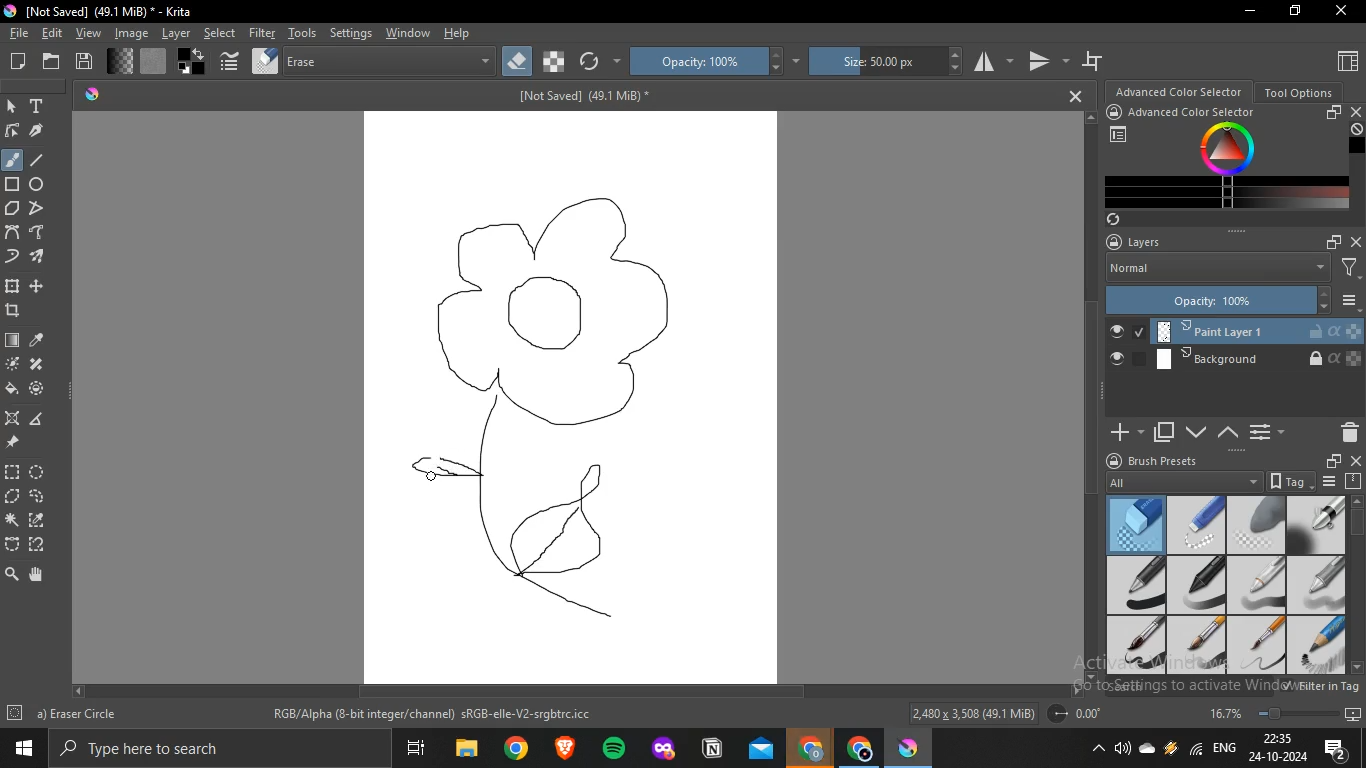 Image resolution: width=1366 pixels, height=768 pixels. What do you see at coordinates (1318, 645) in the screenshot?
I see `basic 1 sketch` at bounding box center [1318, 645].